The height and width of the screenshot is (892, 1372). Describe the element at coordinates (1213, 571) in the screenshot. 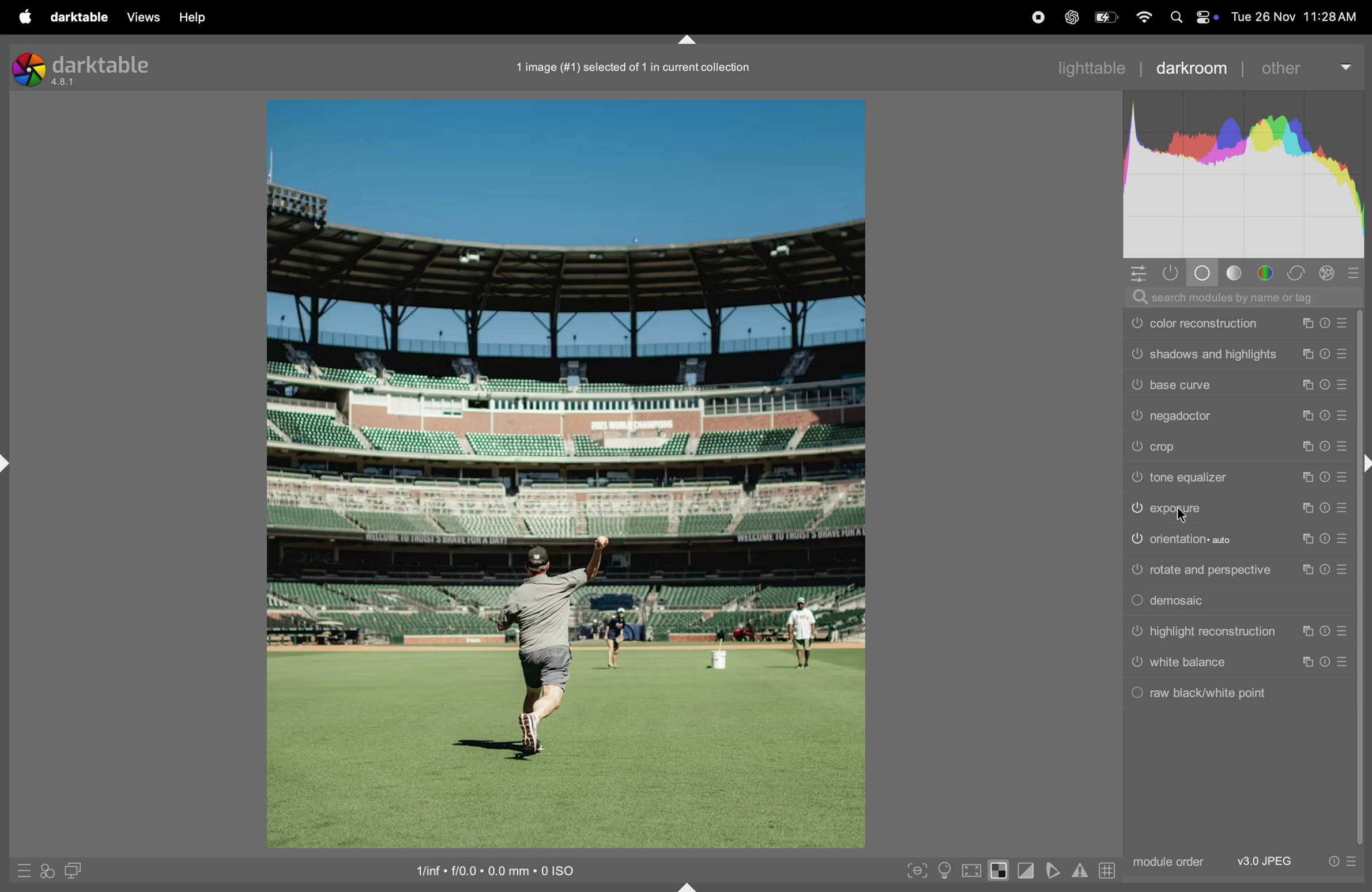

I see `rotate and perspective` at that location.